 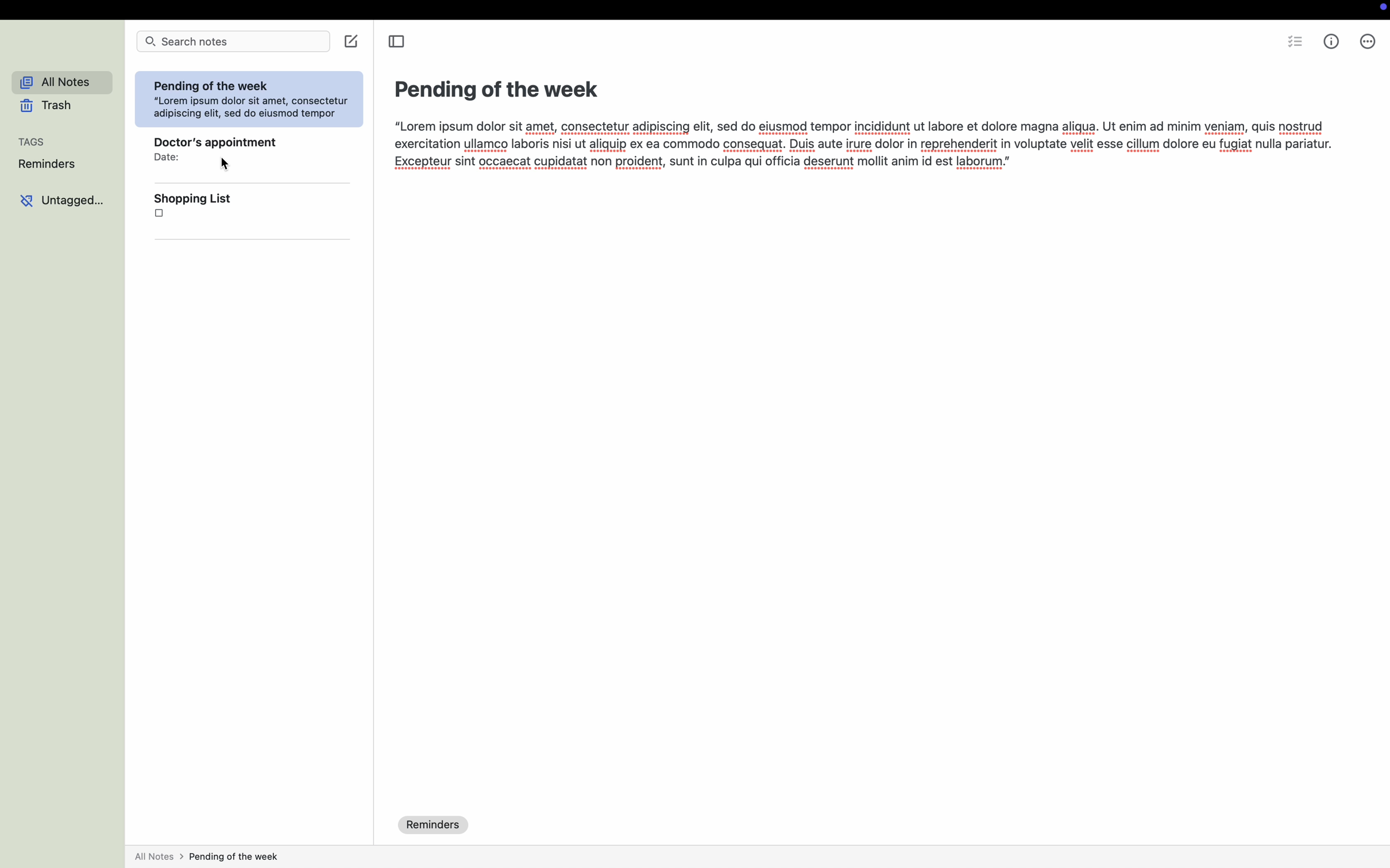 What do you see at coordinates (34, 142) in the screenshot?
I see `tags` at bounding box center [34, 142].